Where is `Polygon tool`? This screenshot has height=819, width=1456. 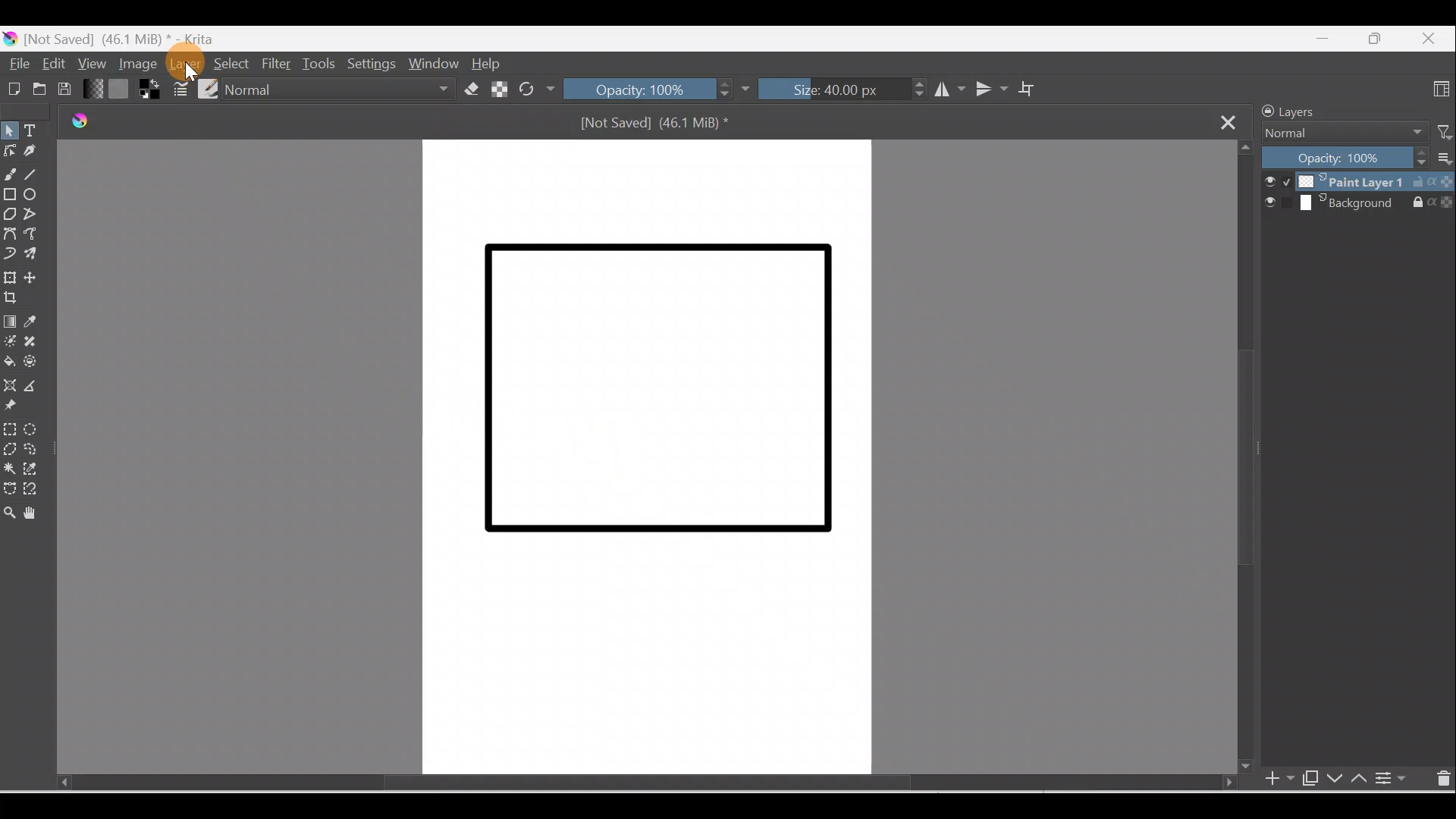 Polygon tool is located at coordinates (11, 214).